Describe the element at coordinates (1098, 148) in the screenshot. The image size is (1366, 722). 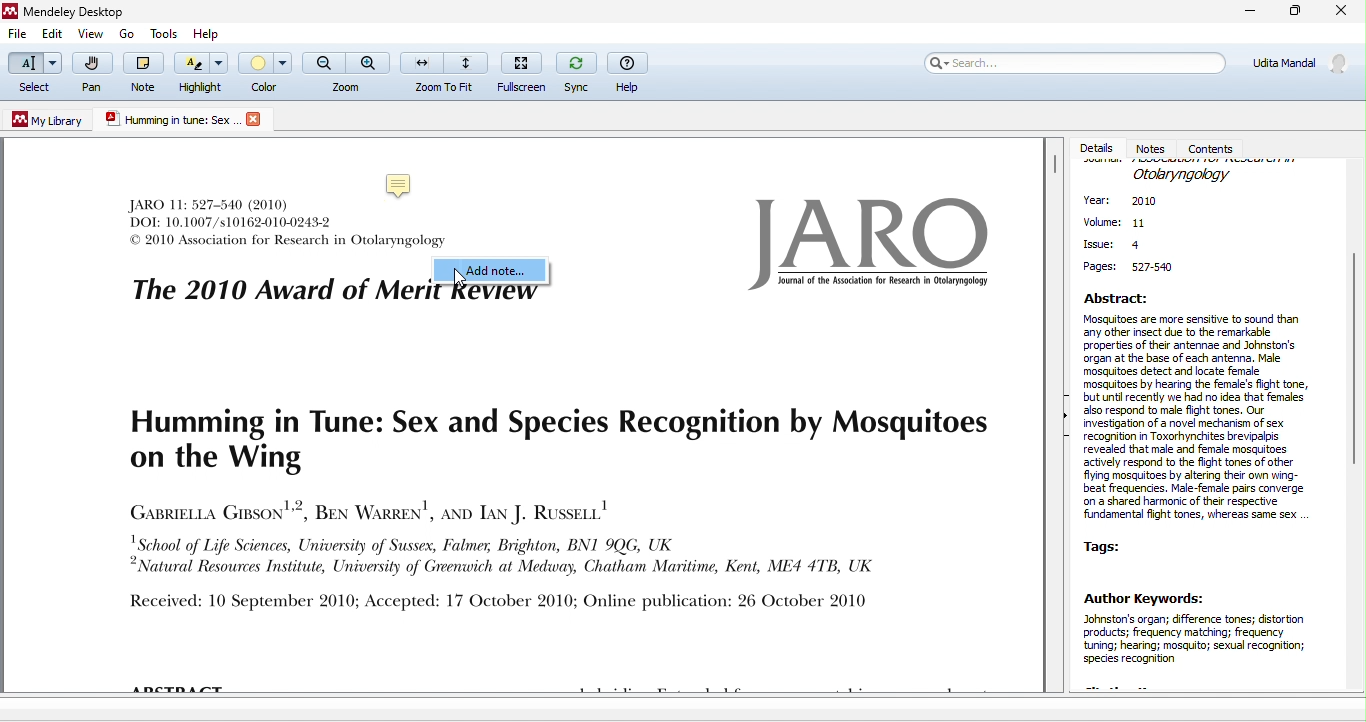
I see `details` at that location.